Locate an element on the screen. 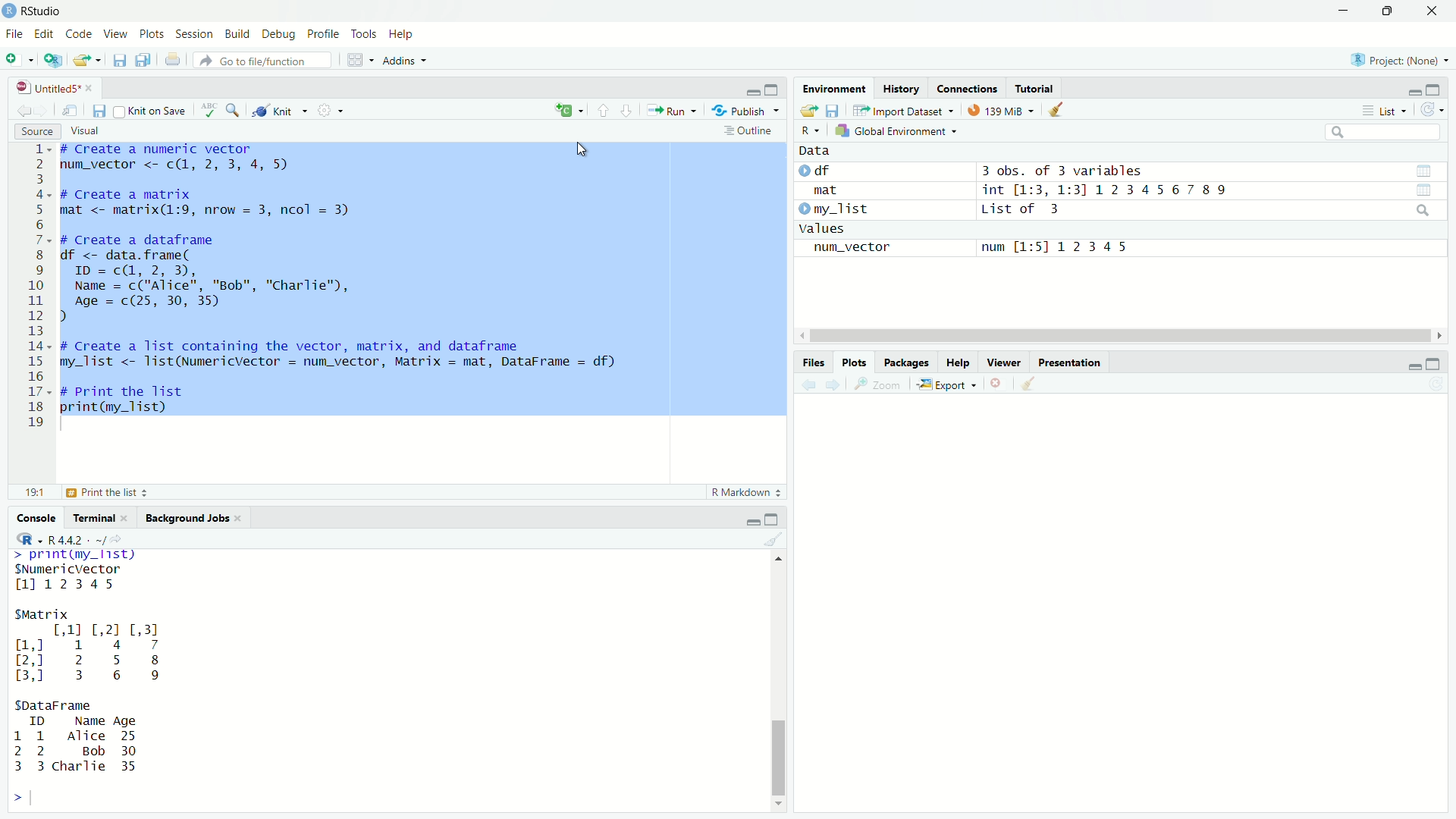  clear is located at coordinates (1030, 388).